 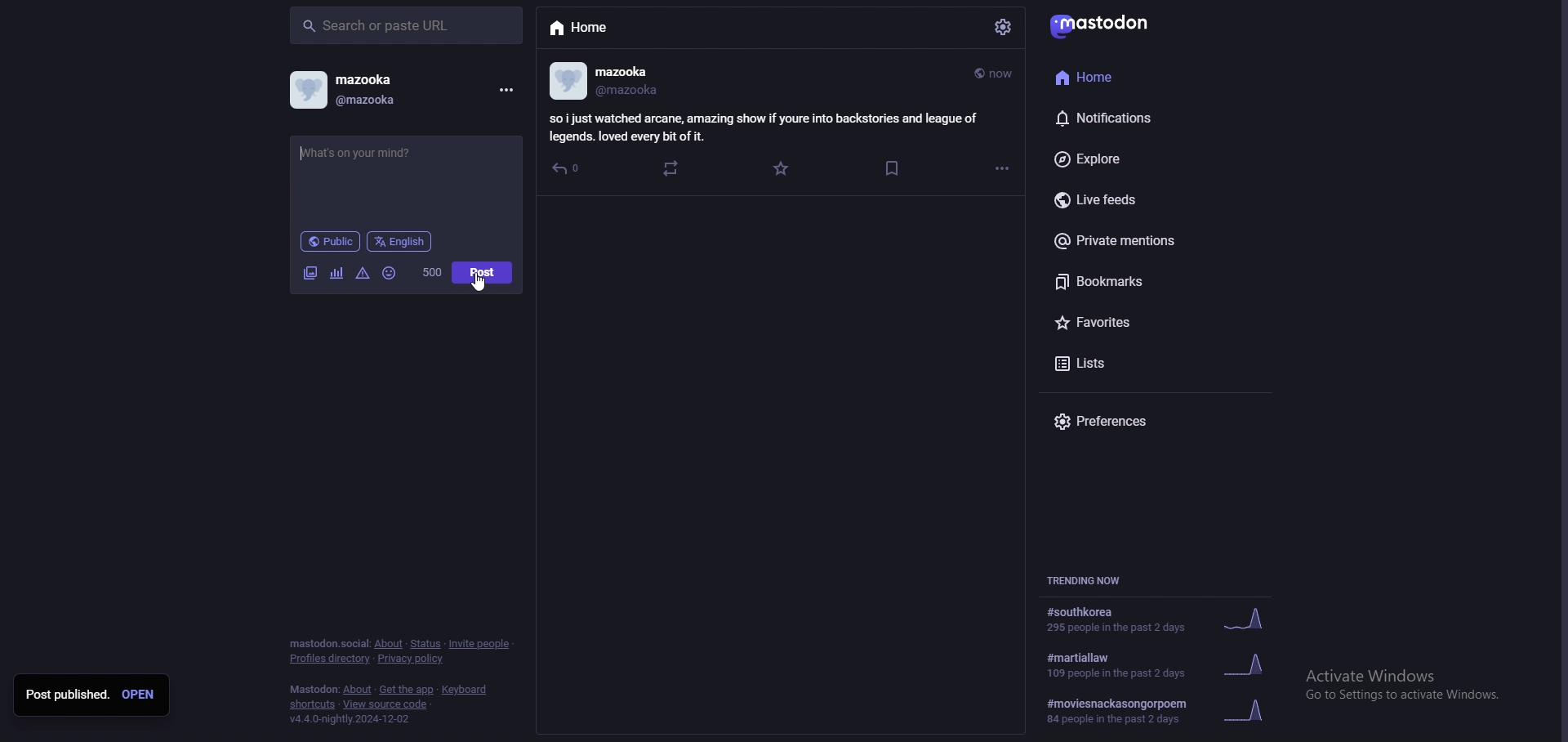 What do you see at coordinates (1147, 420) in the screenshot?
I see `preferences` at bounding box center [1147, 420].